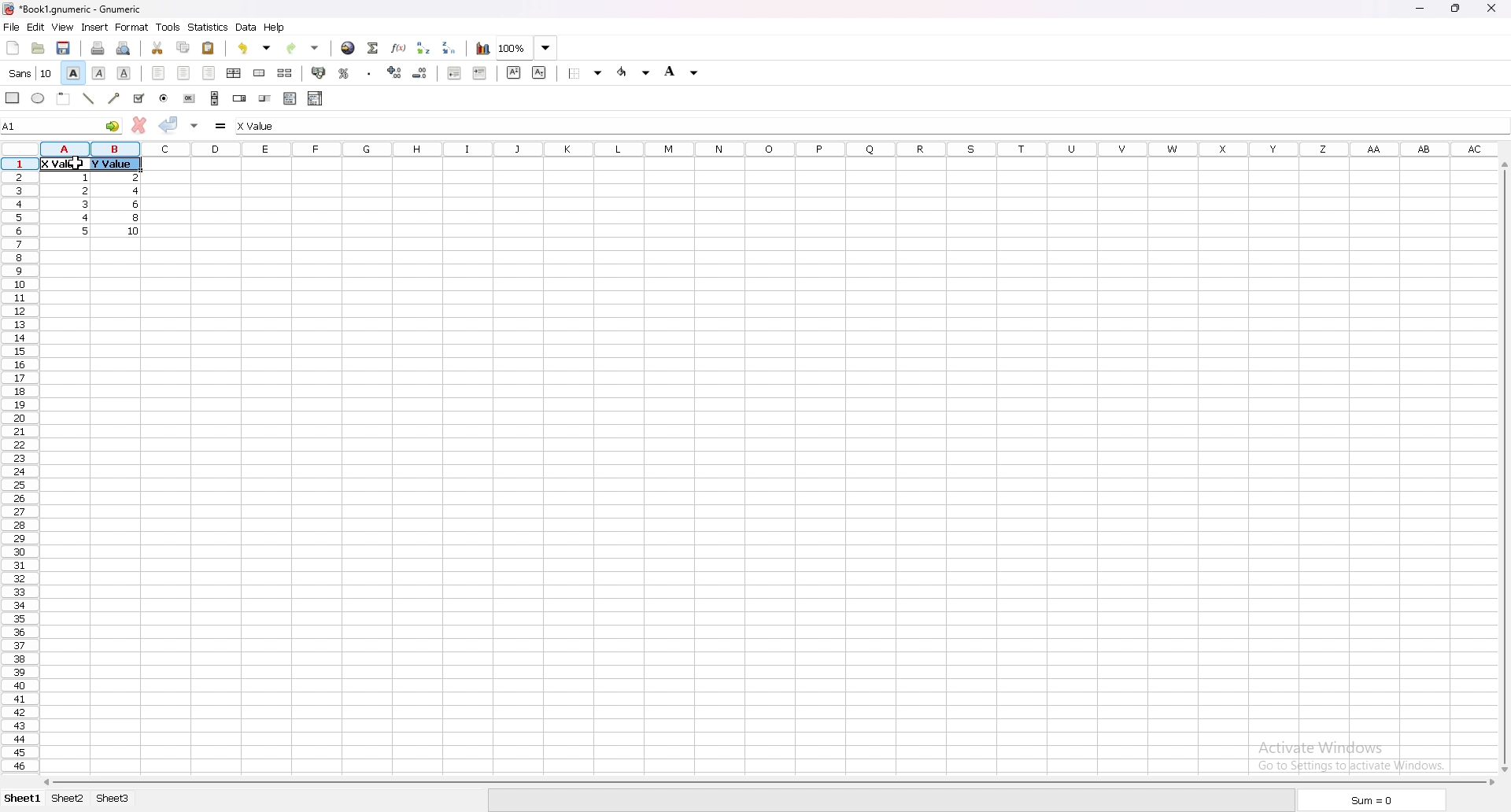 Image resolution: width=1511 pixels, height=812 pixels. What do you see at coordinates (17, 472) in the screenshot?
I see `rows` at bounding box center [17, 472].